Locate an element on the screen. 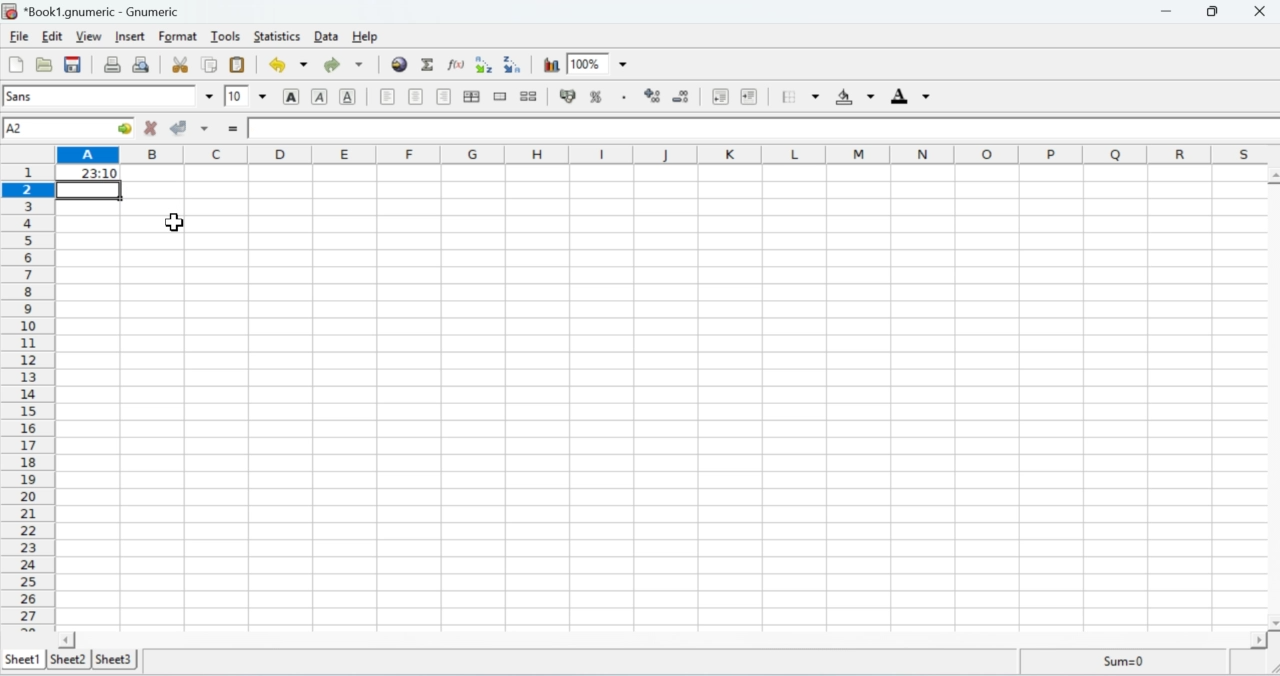  Font name sans is located at coordinates (107, 97).